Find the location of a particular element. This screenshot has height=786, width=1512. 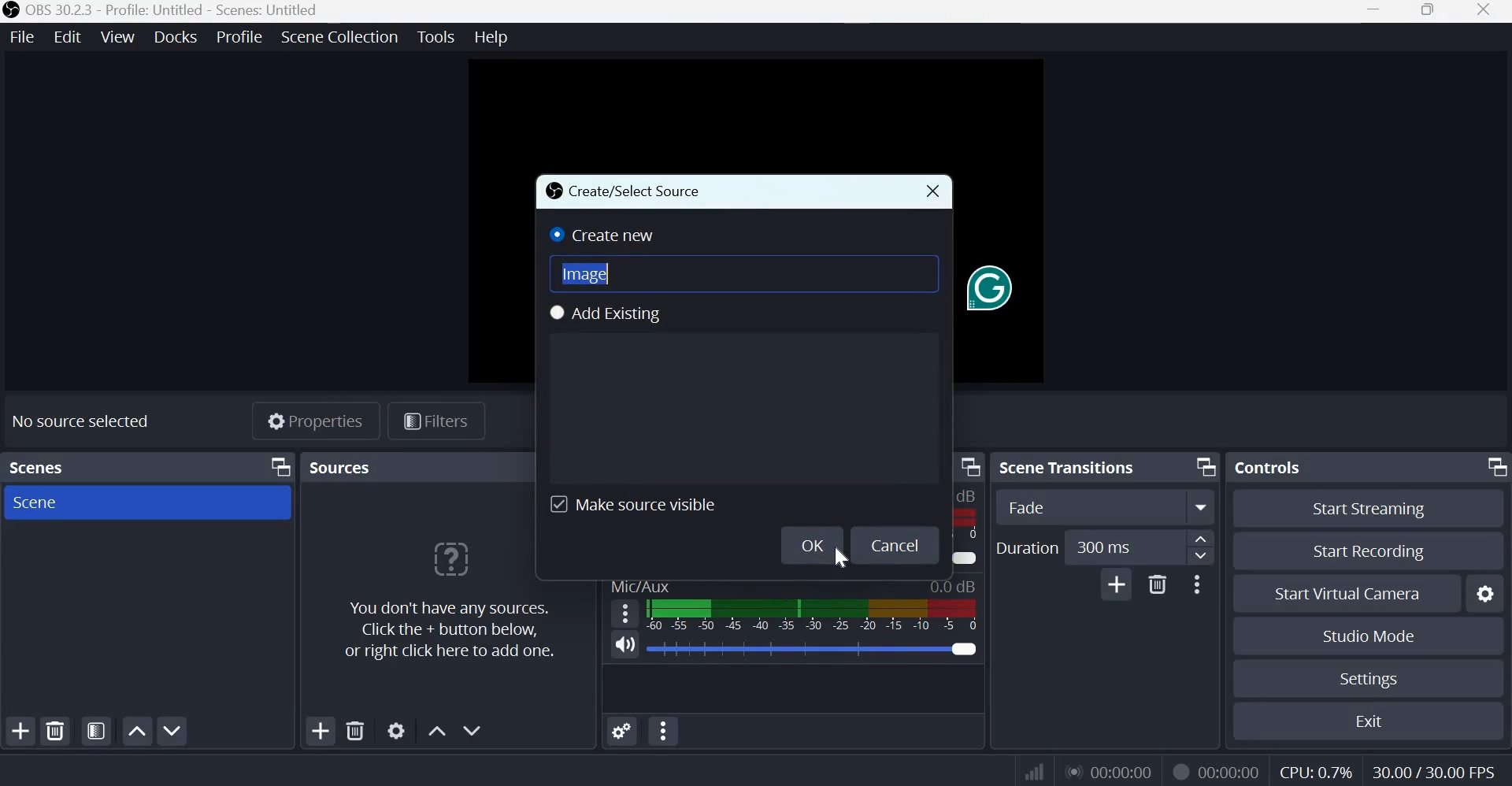

30.00/30.00 FPS is located at coordinates (1439, 769).